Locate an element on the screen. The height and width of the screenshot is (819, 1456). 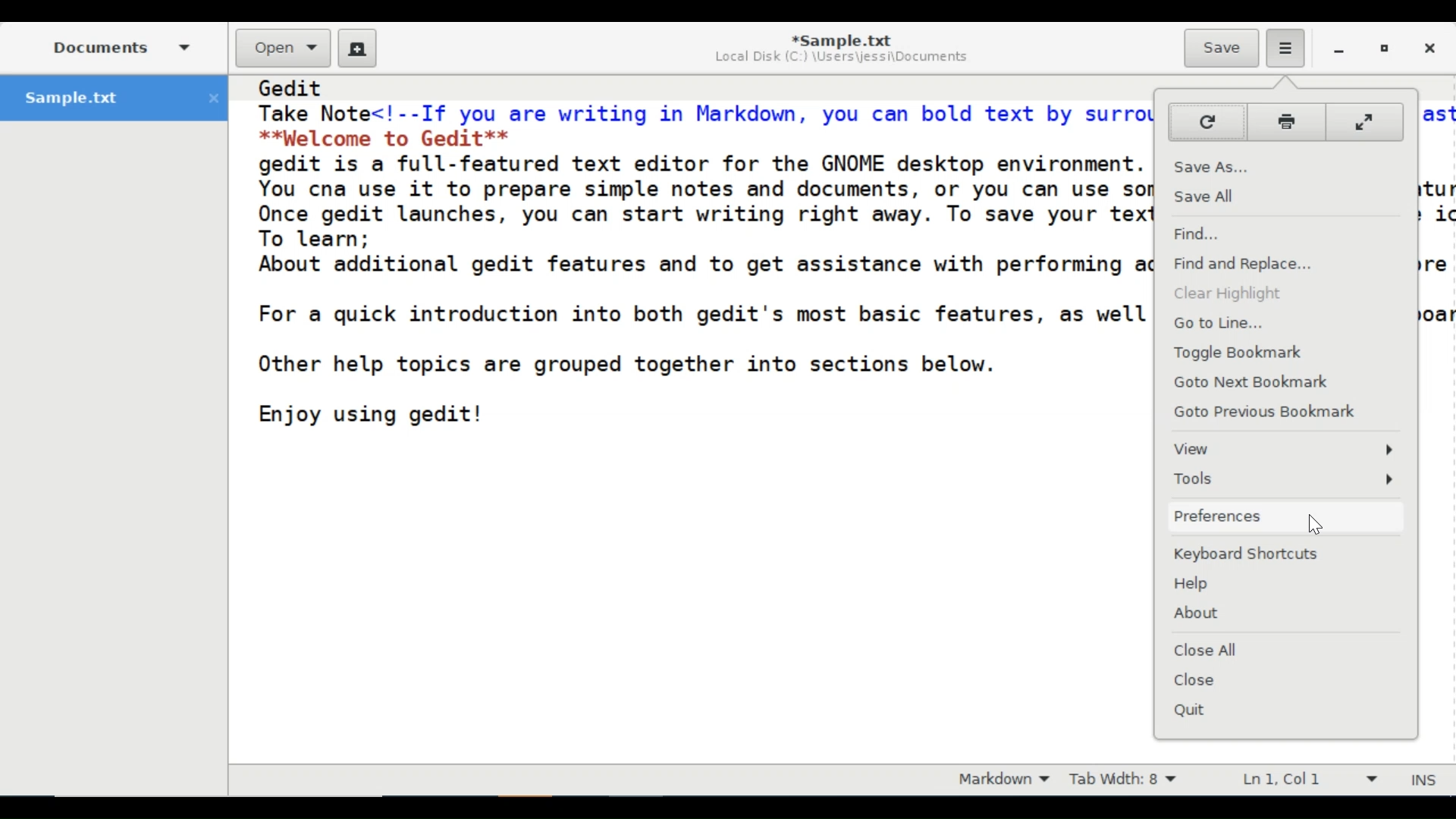
Insert Moode is located at coordinates (1425, 780).